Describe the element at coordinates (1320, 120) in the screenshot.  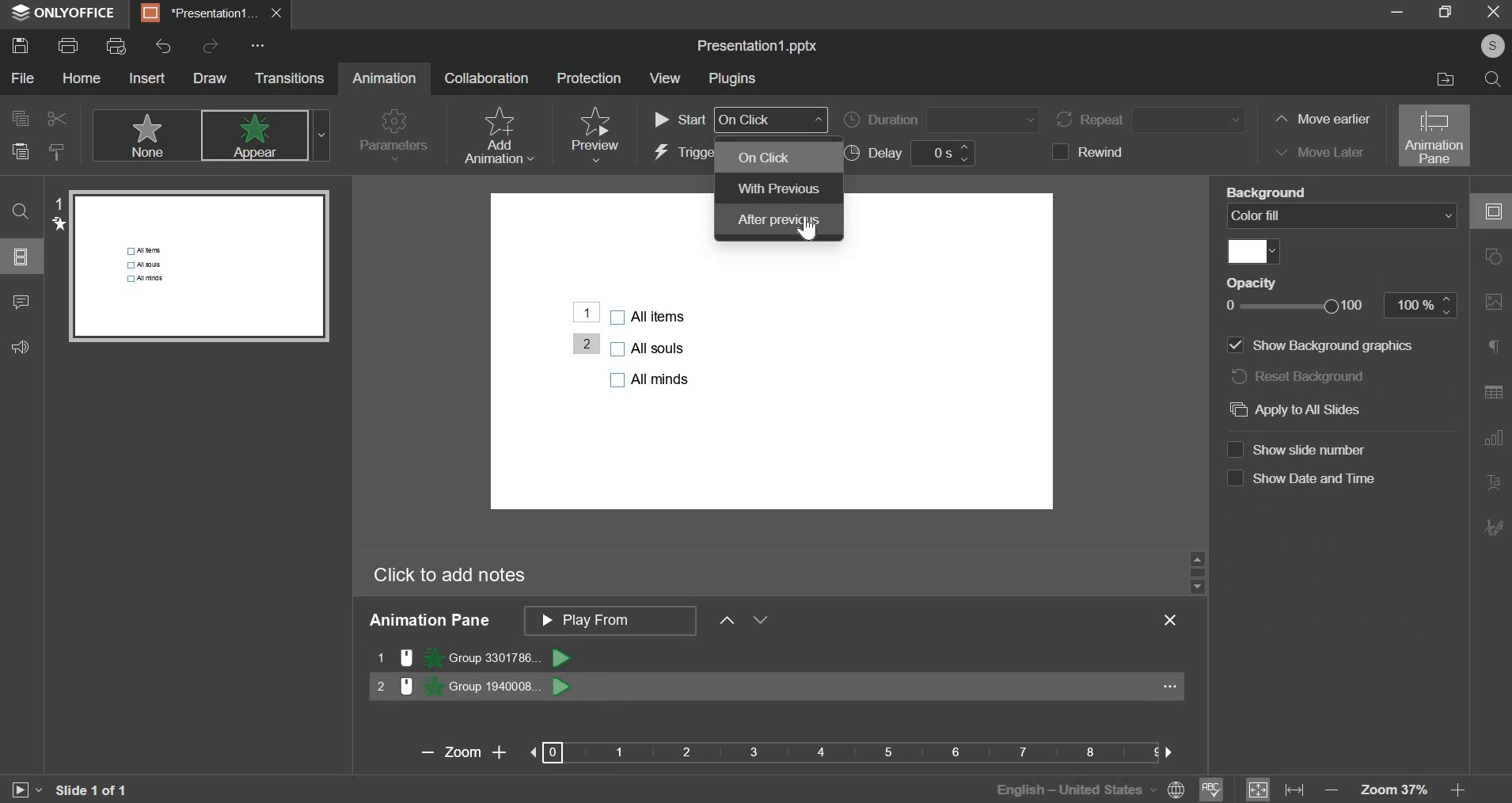
I see `move earlier` at that location.